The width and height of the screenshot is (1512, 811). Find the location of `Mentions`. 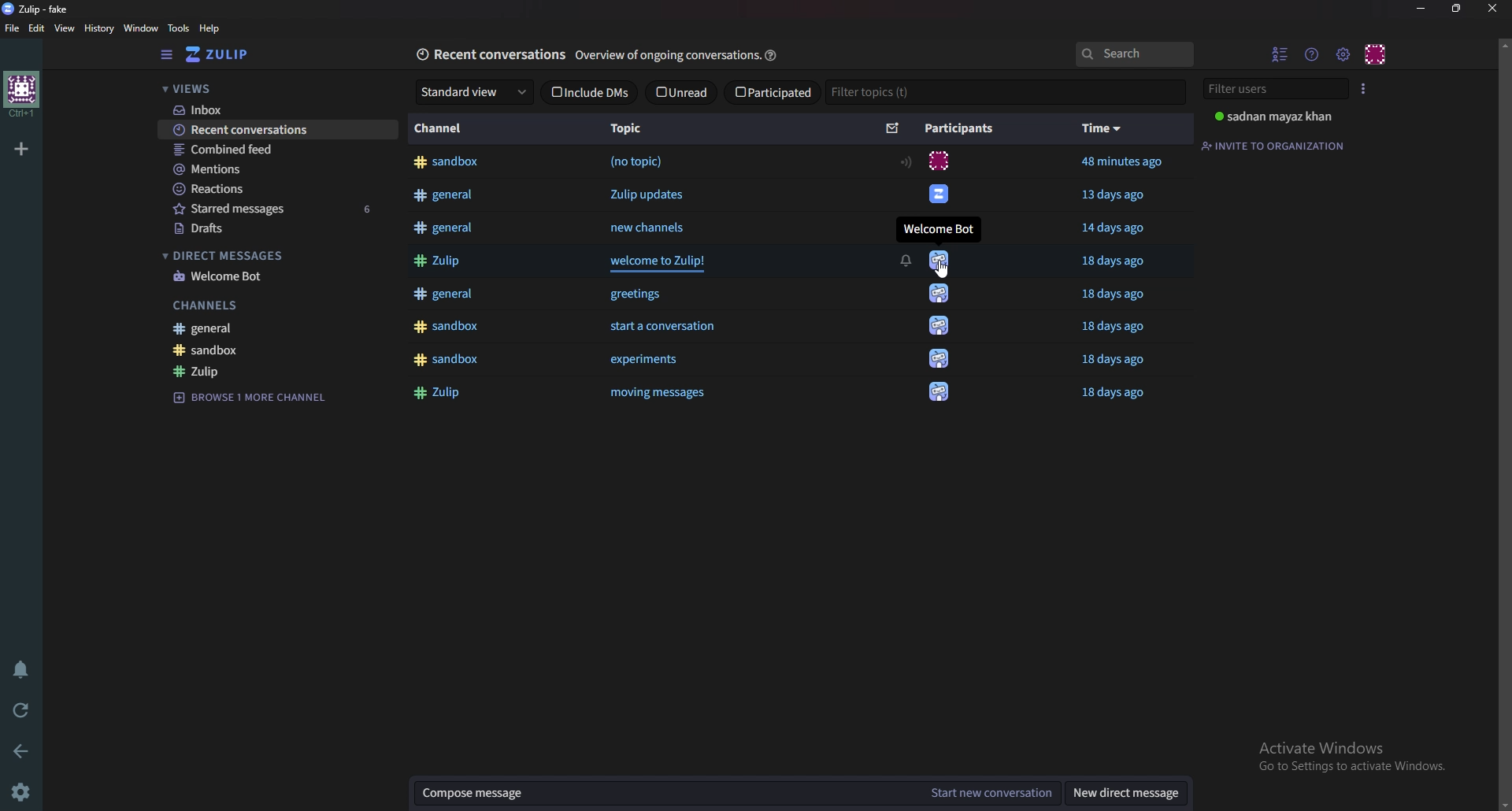

Mentions is located at coordinates (272, 169).